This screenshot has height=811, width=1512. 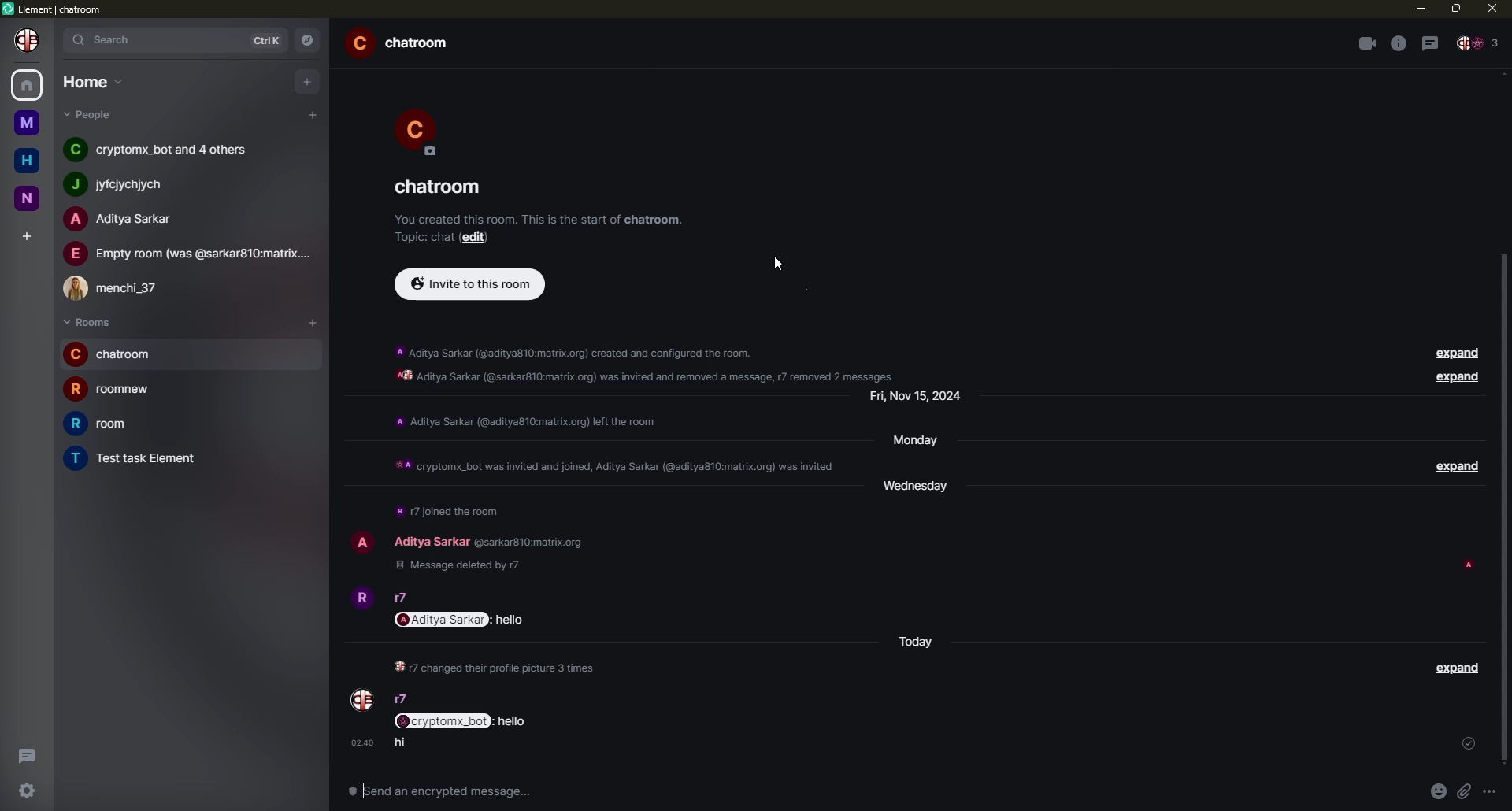 What do you see at coordinates (309, 41) in the screenshot?
I see `navigator` at bounding box center [309, 41].